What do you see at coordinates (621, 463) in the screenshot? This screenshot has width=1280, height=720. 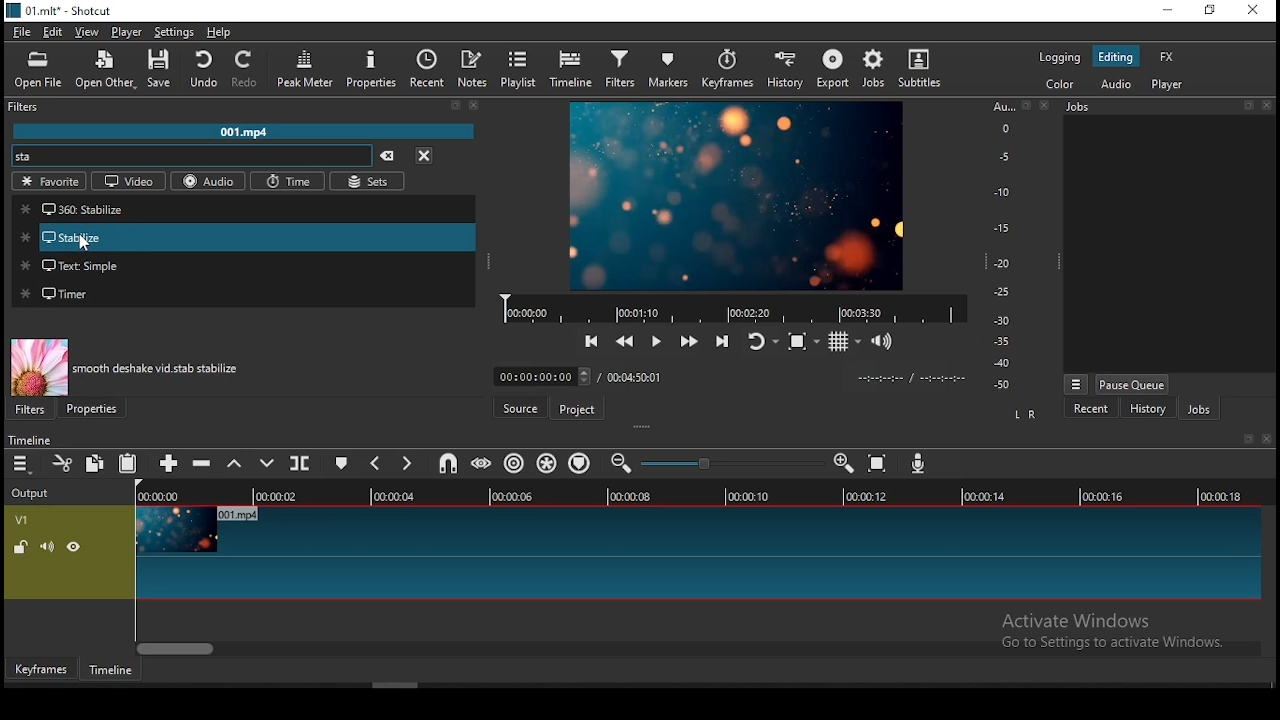 I see `zoom out` at bounding box center [621, 463].